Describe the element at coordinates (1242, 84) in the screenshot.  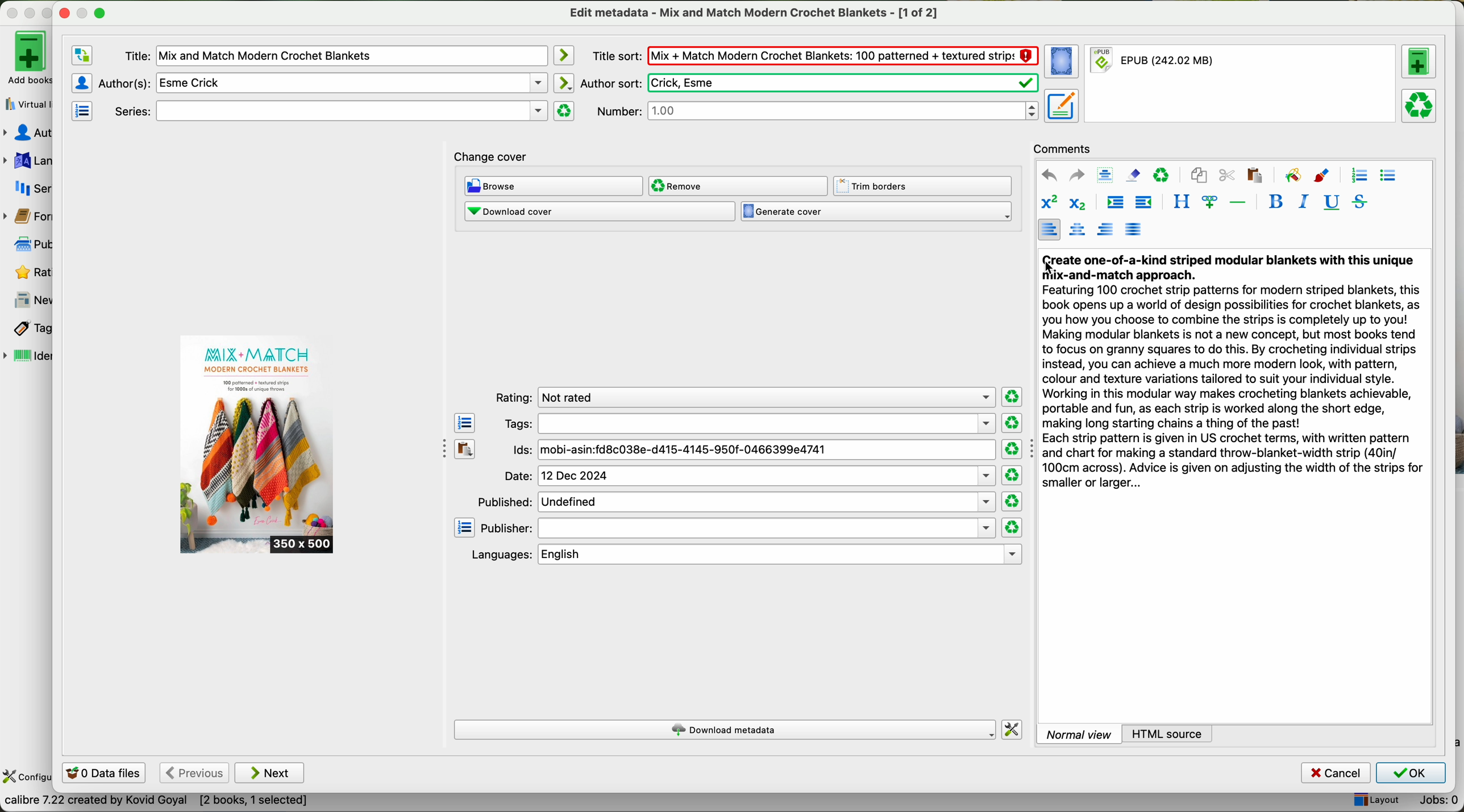
I see `format` at that location.